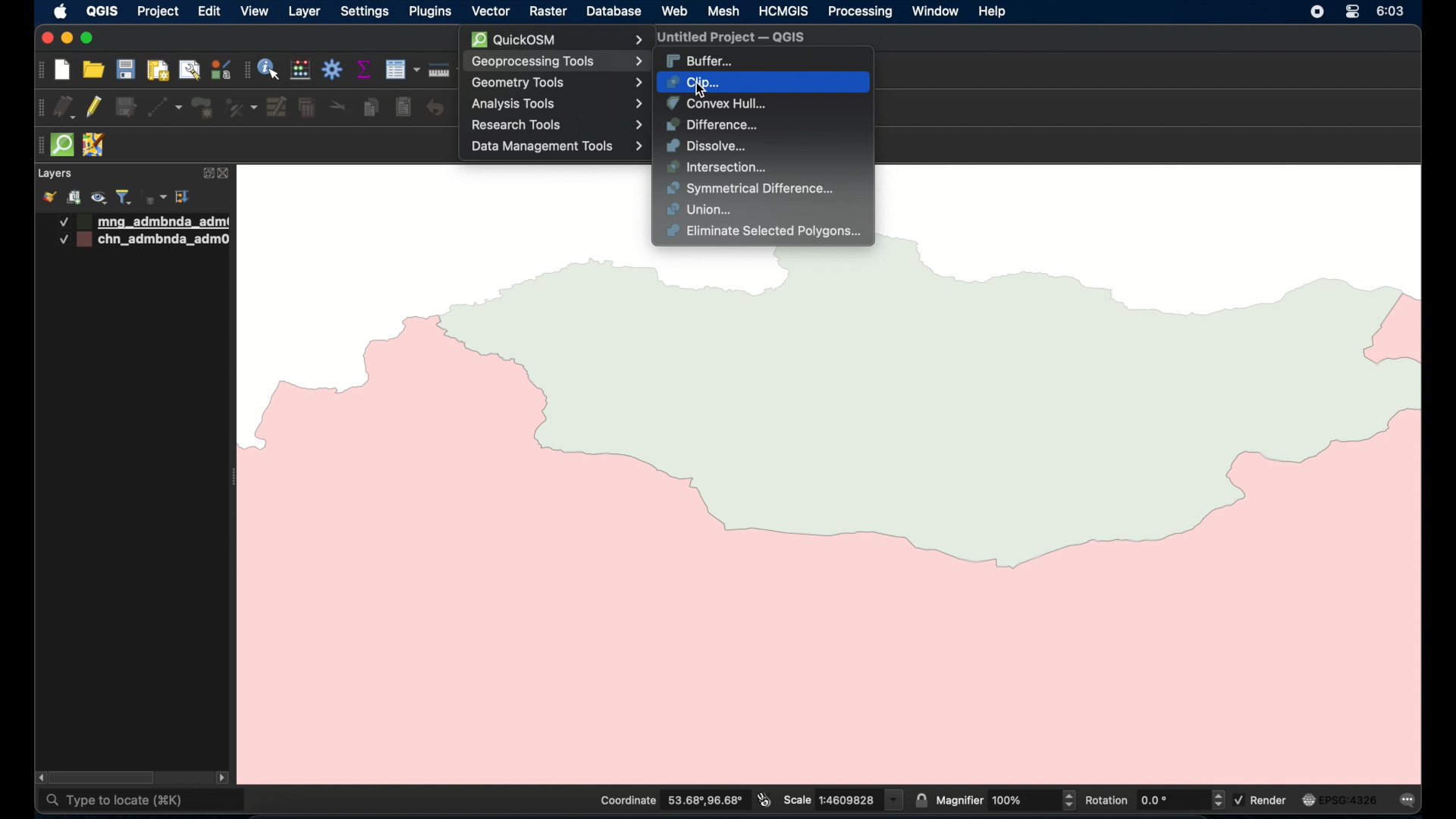  What do you see at coordinates (921, 799) in the screenshot?
I see `lock scale` at bounding box center [921, 799].